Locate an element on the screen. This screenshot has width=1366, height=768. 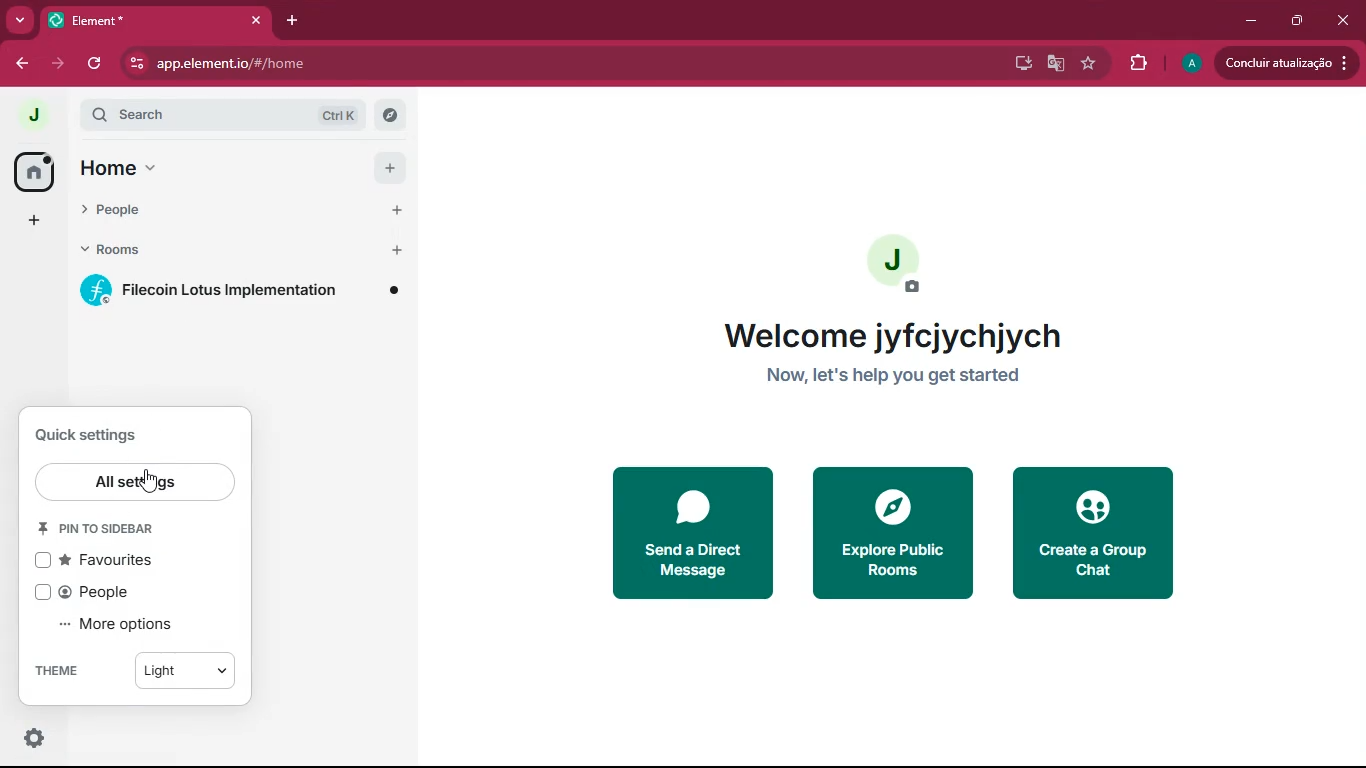
close is located at coordinates (1344, 20).